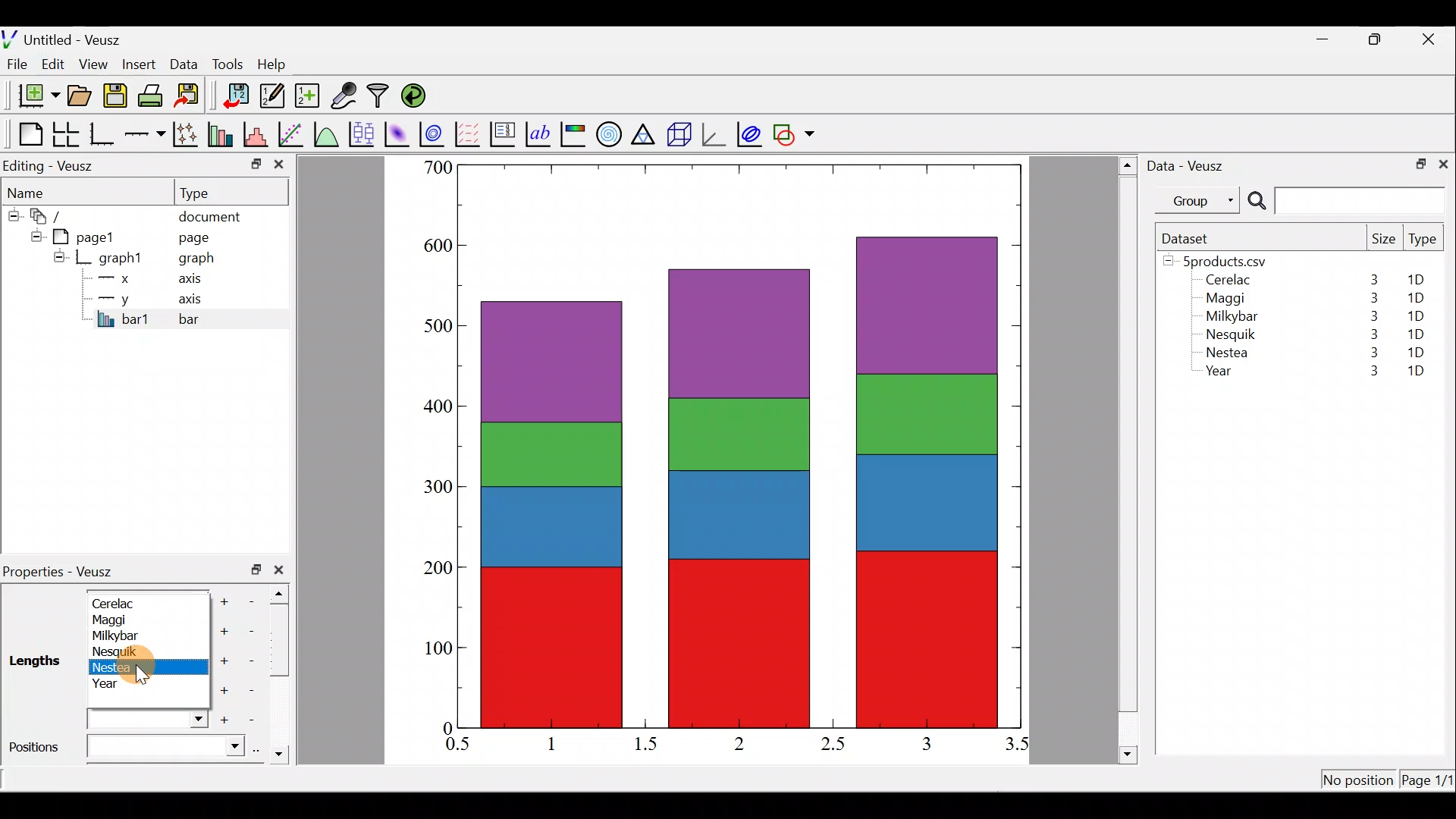 The image size is (1456, 819). Describe the element at coordinates (1189, 164) in the screenshot. I see `Data - Veusz` at that location.